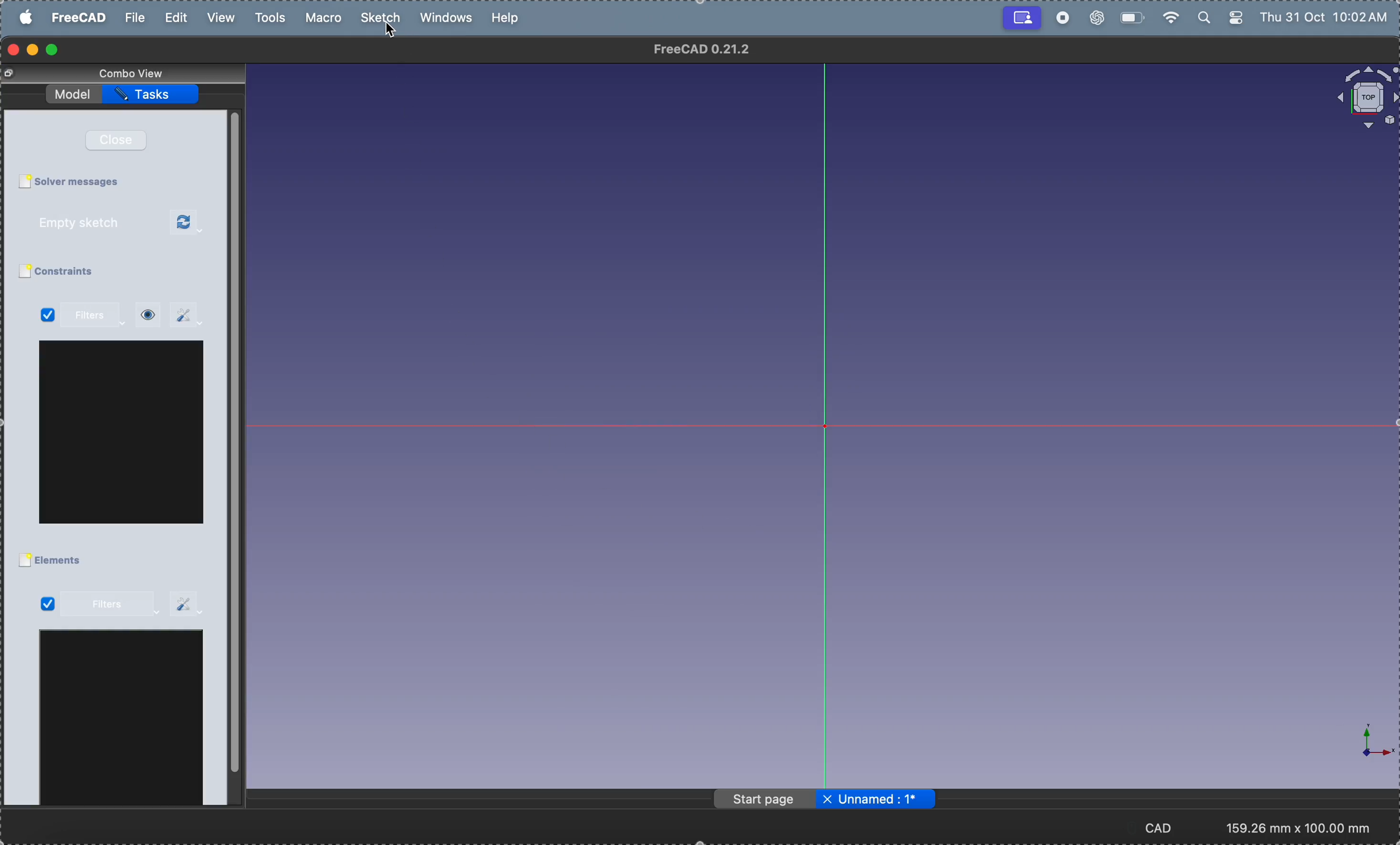  Describe the element at coordinates (827, 800) in the screenshot. I see `close file` at that location.